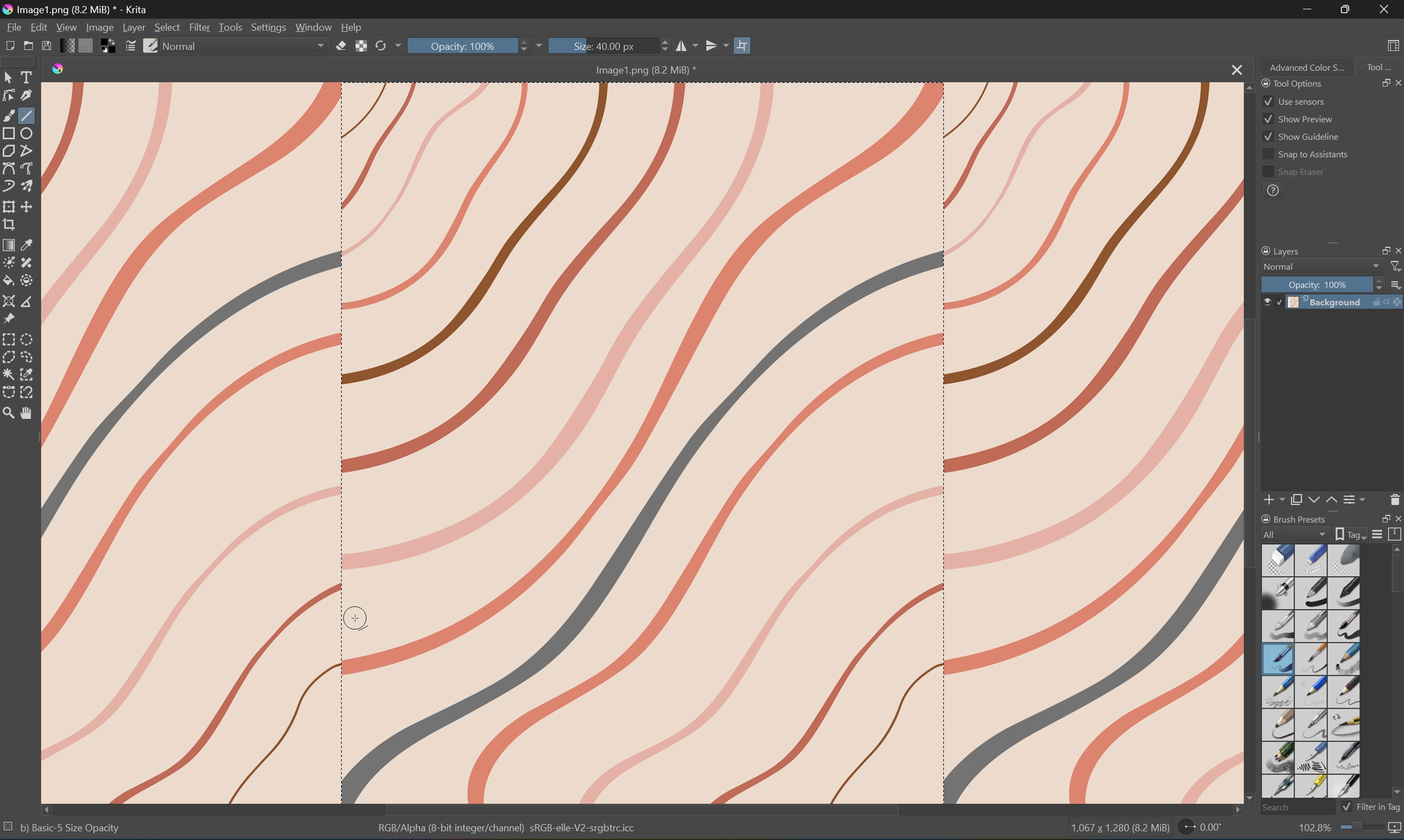 The image size is (1404, 840). I want to click on Polygon tool, so click(11, 151).